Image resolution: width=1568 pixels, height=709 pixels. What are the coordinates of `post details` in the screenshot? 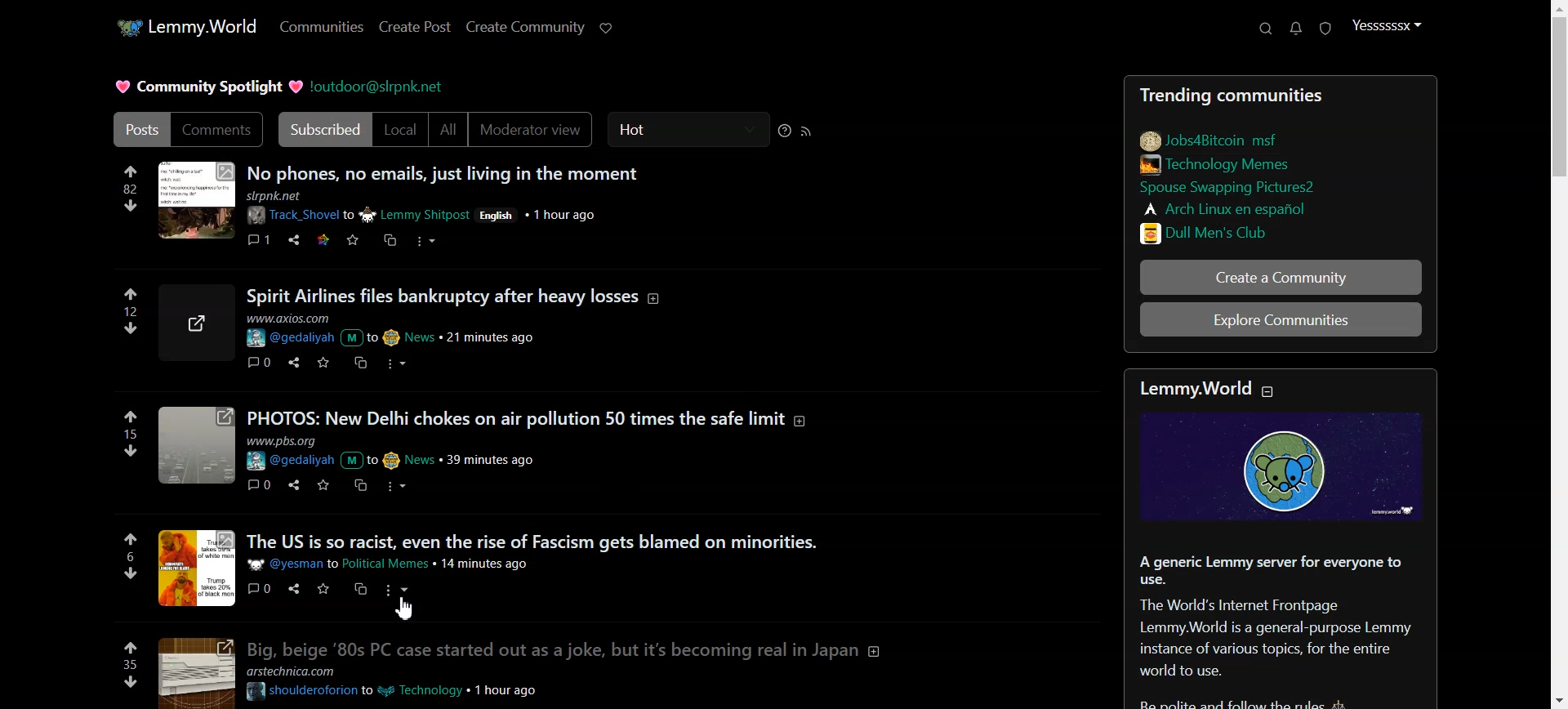 It's located at (412, 452).